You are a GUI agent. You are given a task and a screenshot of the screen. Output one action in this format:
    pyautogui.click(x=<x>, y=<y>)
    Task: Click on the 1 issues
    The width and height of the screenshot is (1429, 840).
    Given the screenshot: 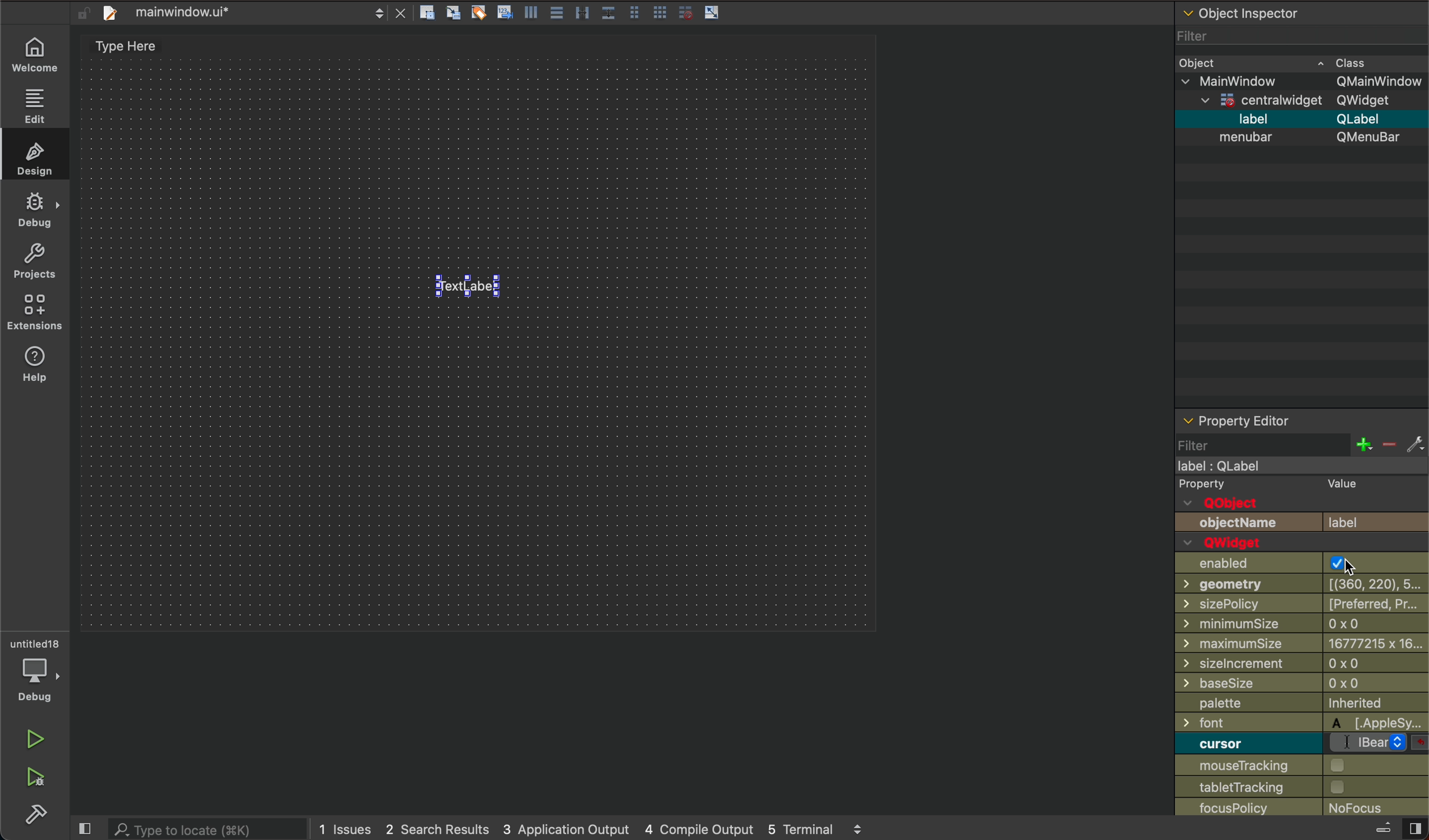 What is the action you would take?
    pyautogui.click(x=343, y=827)
    